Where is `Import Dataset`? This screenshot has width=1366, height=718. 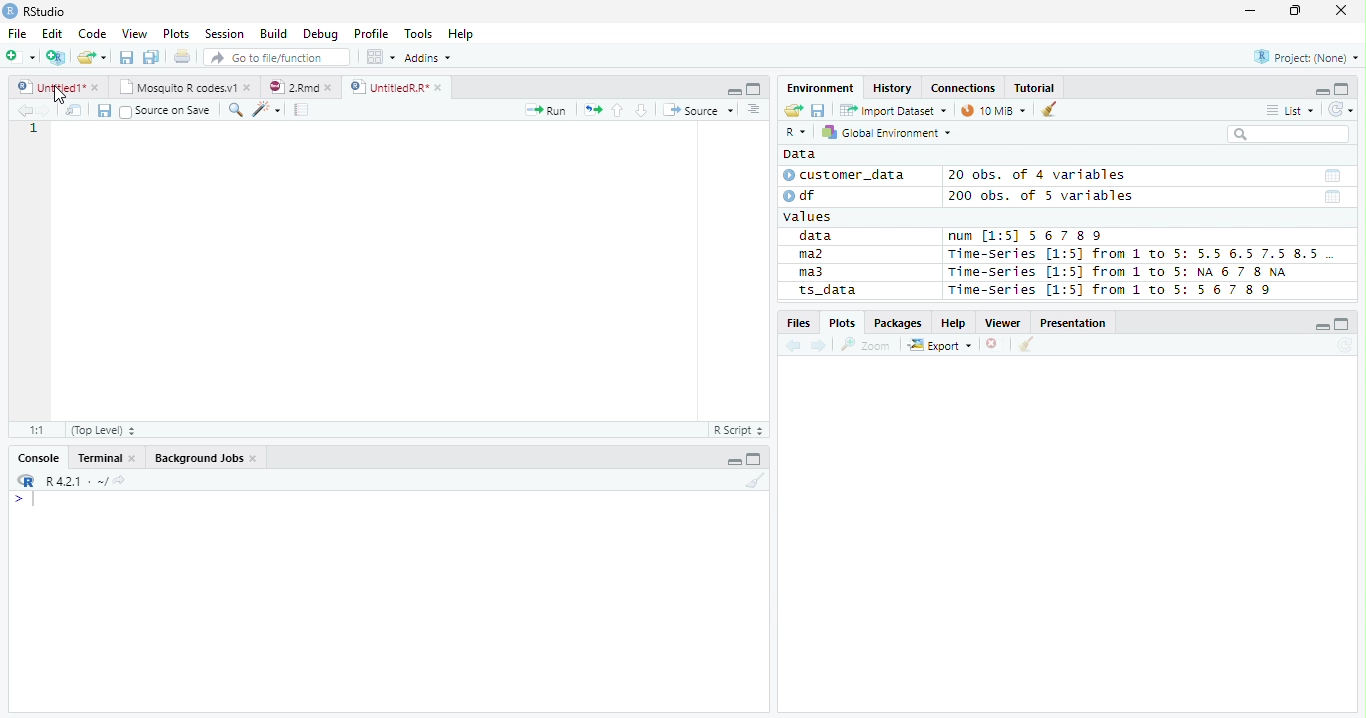 Import Dataset is located at coordinates (891, 110).